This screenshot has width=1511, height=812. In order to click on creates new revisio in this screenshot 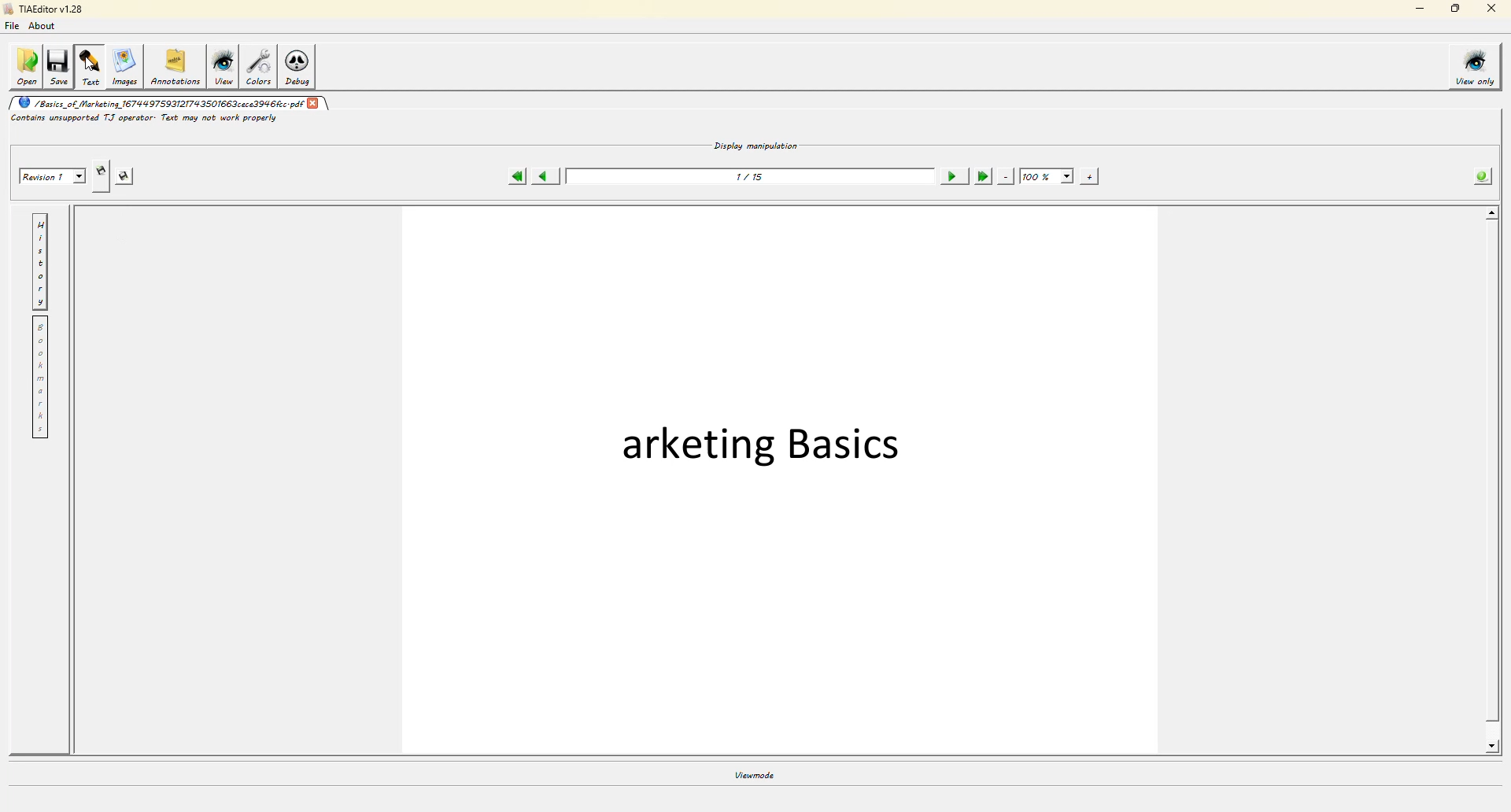, I will do `click(102, 169)`.